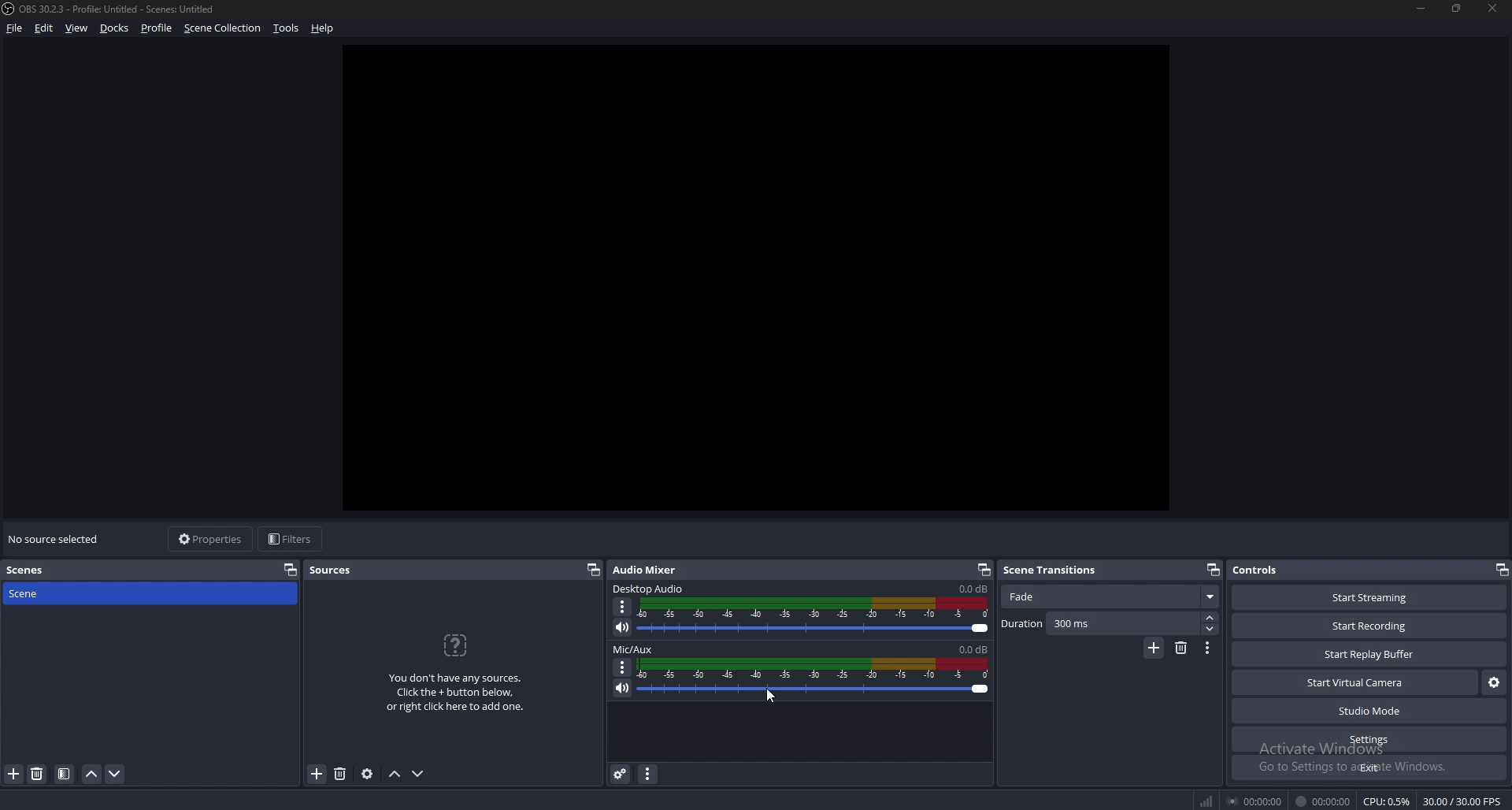 This screenshot has width=1512, height=810. Describe the element at coordinates (1368, 653) in the screenshot. I see `start replay buffer` at that location.